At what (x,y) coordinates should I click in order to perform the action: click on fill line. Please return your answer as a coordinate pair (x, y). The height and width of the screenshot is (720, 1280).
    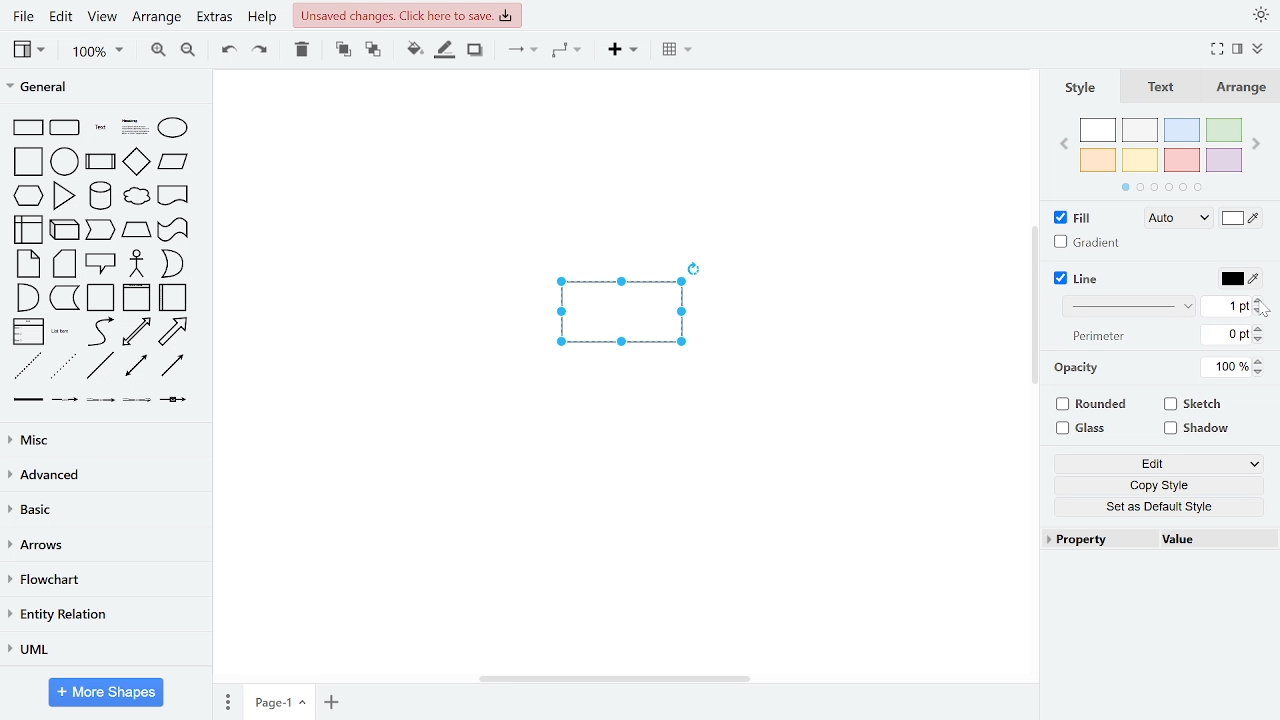
    Looking at the image, I should click on (446, 51).